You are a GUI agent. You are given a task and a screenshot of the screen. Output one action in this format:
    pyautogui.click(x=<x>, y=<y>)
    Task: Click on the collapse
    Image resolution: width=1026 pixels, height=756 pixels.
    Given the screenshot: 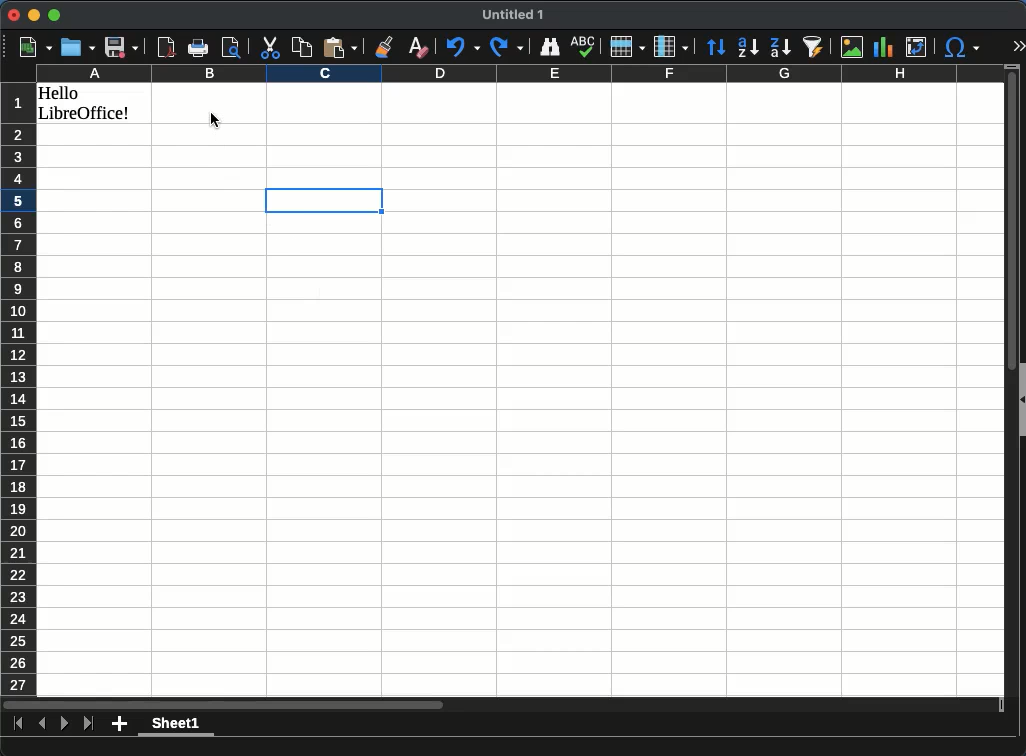 What is the action you would take?
    pyautogui.click(x=1020, y=401)
    